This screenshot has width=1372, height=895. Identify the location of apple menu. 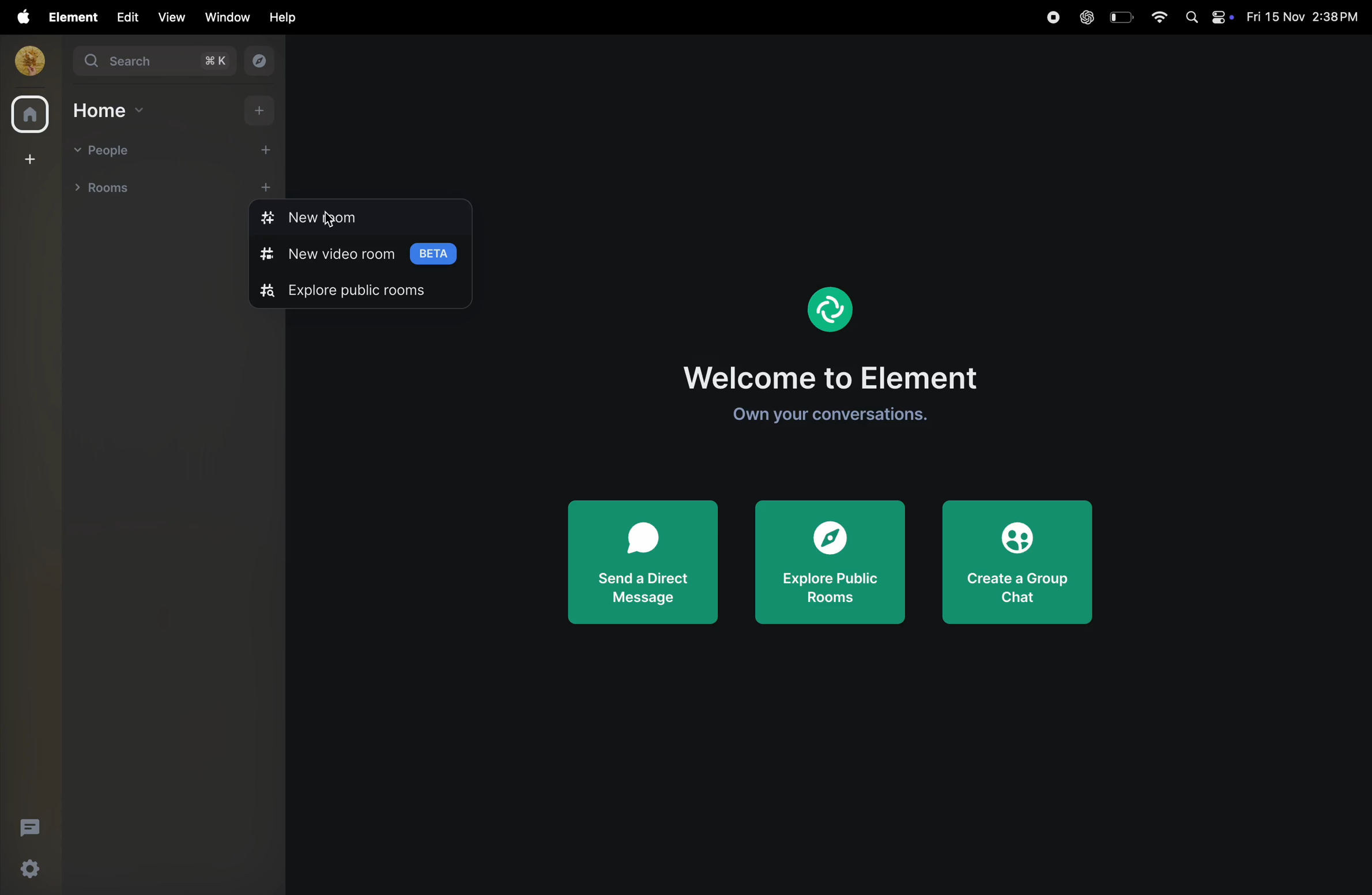
(19, 17).